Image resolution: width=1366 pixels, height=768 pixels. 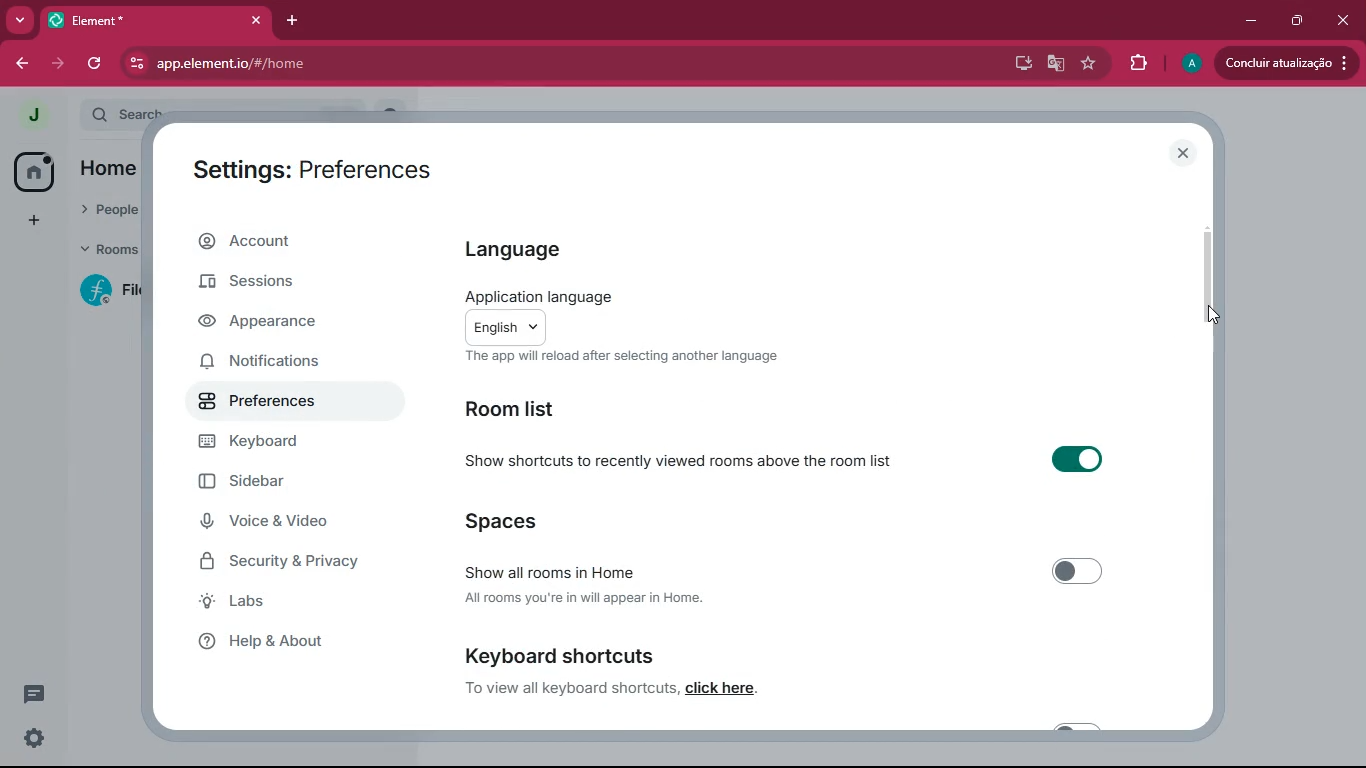 I want to click on help , so click(x=283, y=642).